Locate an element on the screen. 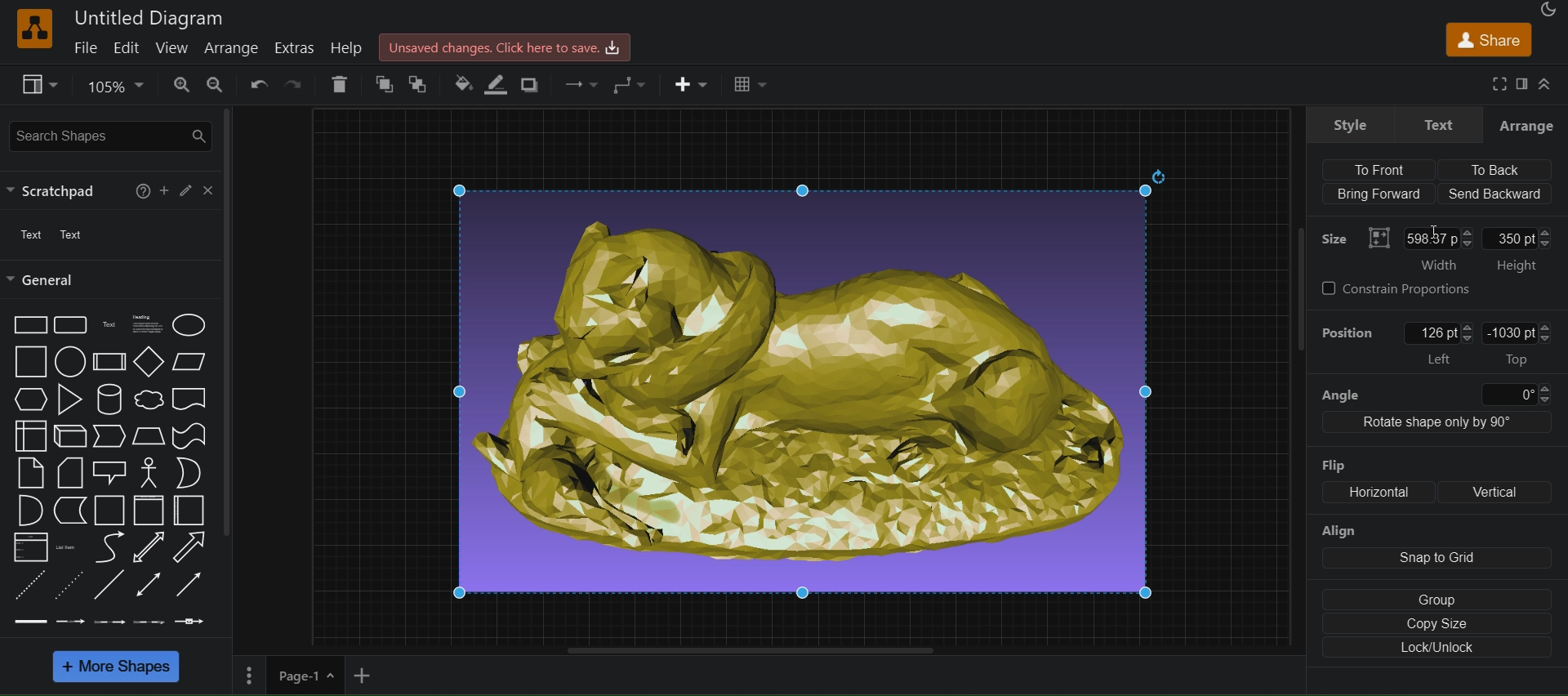 This screenshot has width=1568, height=696. ‘Width is located at coordinates (1436, 265).